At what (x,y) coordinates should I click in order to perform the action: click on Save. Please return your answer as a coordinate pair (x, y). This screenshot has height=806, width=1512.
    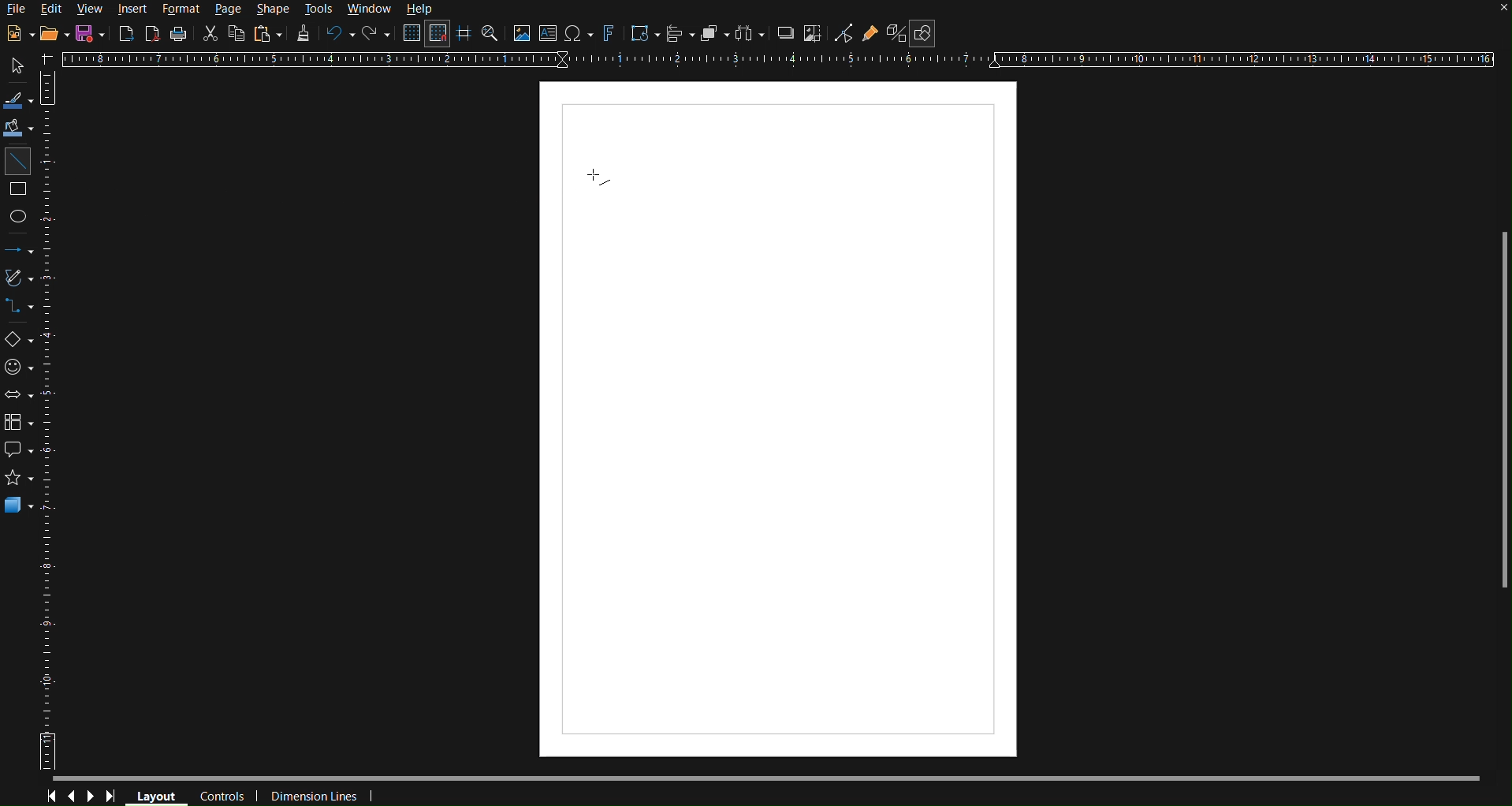
    Looking at the image, I should click on (86, 34).